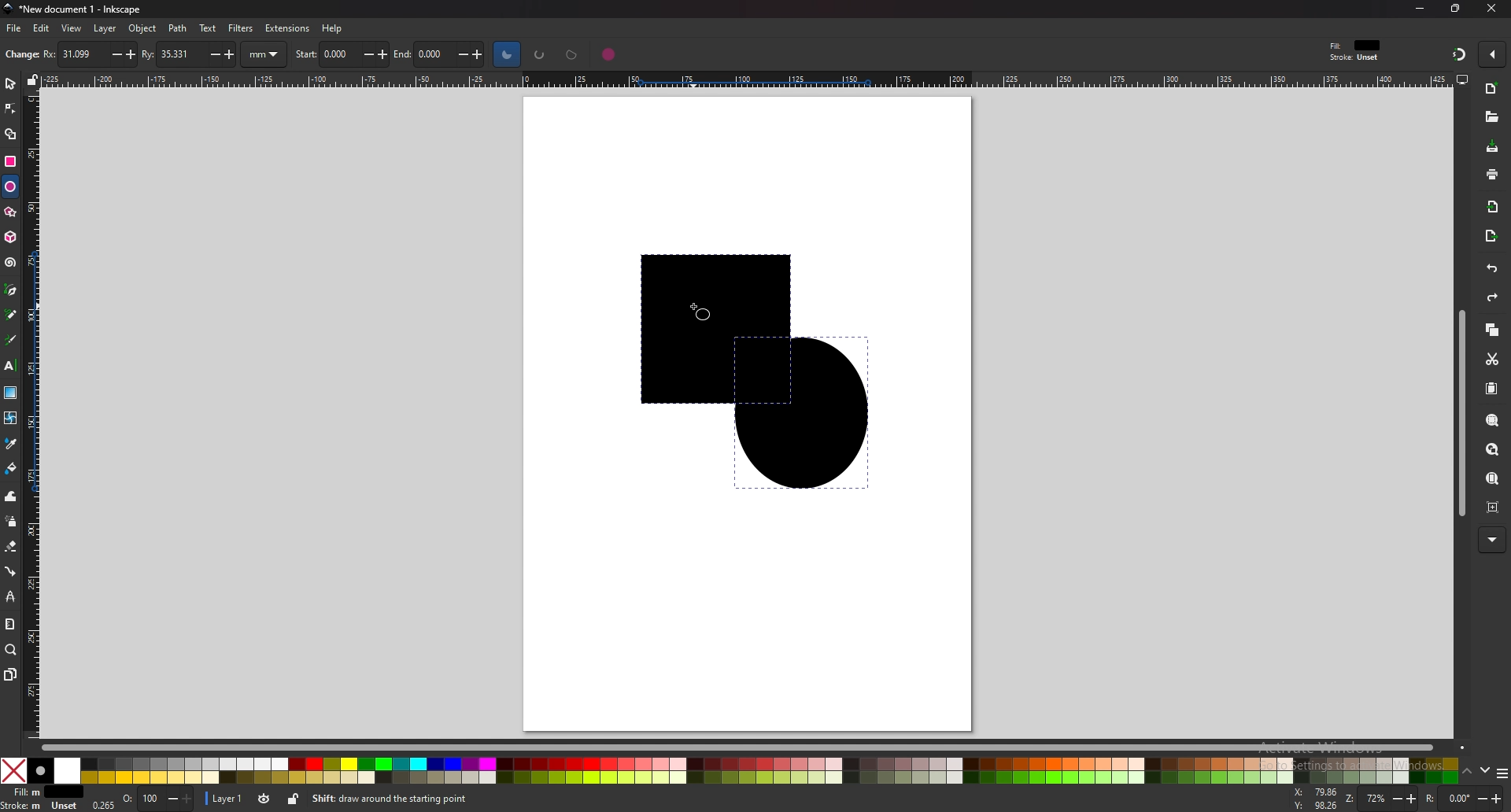 The height and width of the screenshot is (812, 1511). What do you see at coordinates (10, 393) in the screenshot?
I see `gradient` at bounding box center [10, 393].